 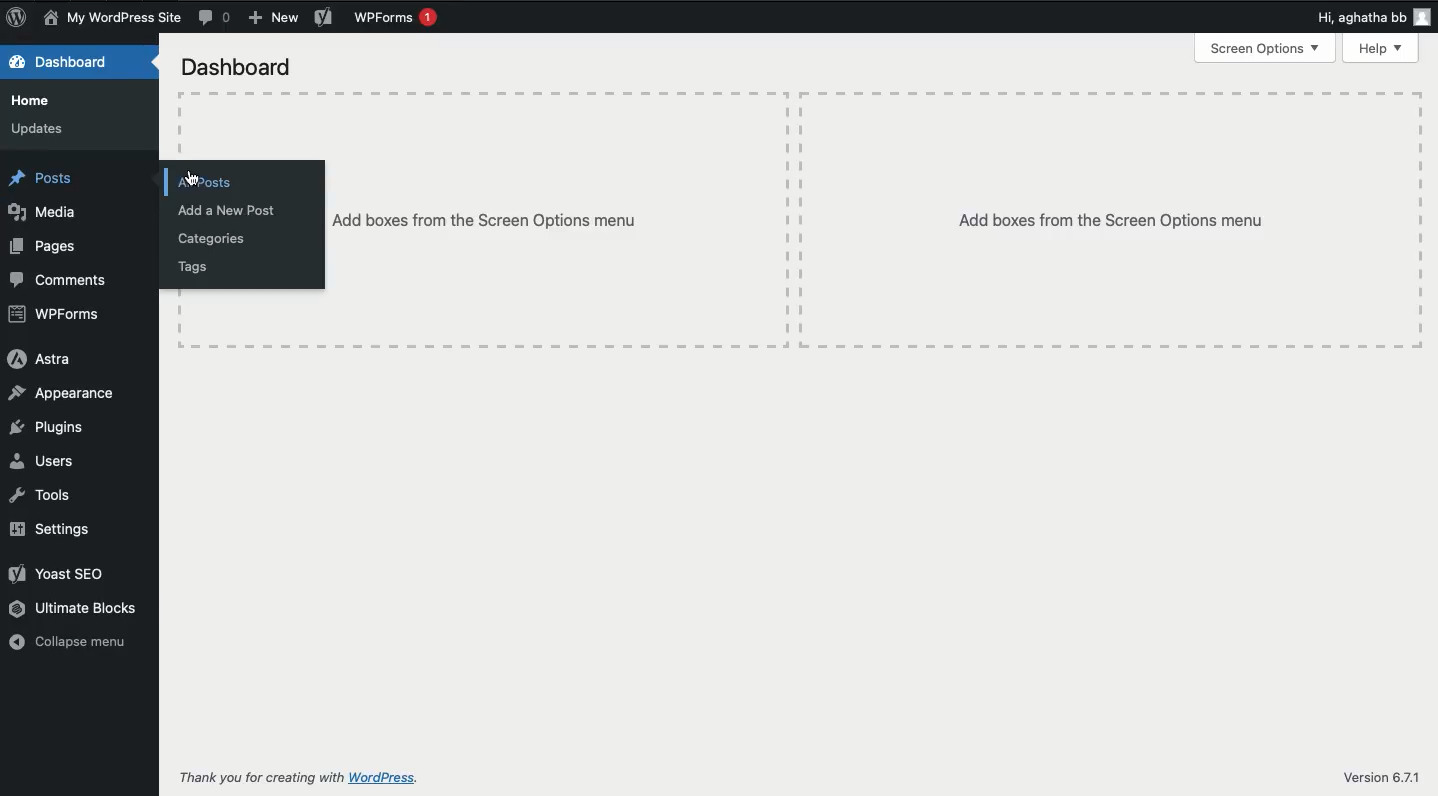 I want to click on Collapse menu, so click(x=72, y=641).